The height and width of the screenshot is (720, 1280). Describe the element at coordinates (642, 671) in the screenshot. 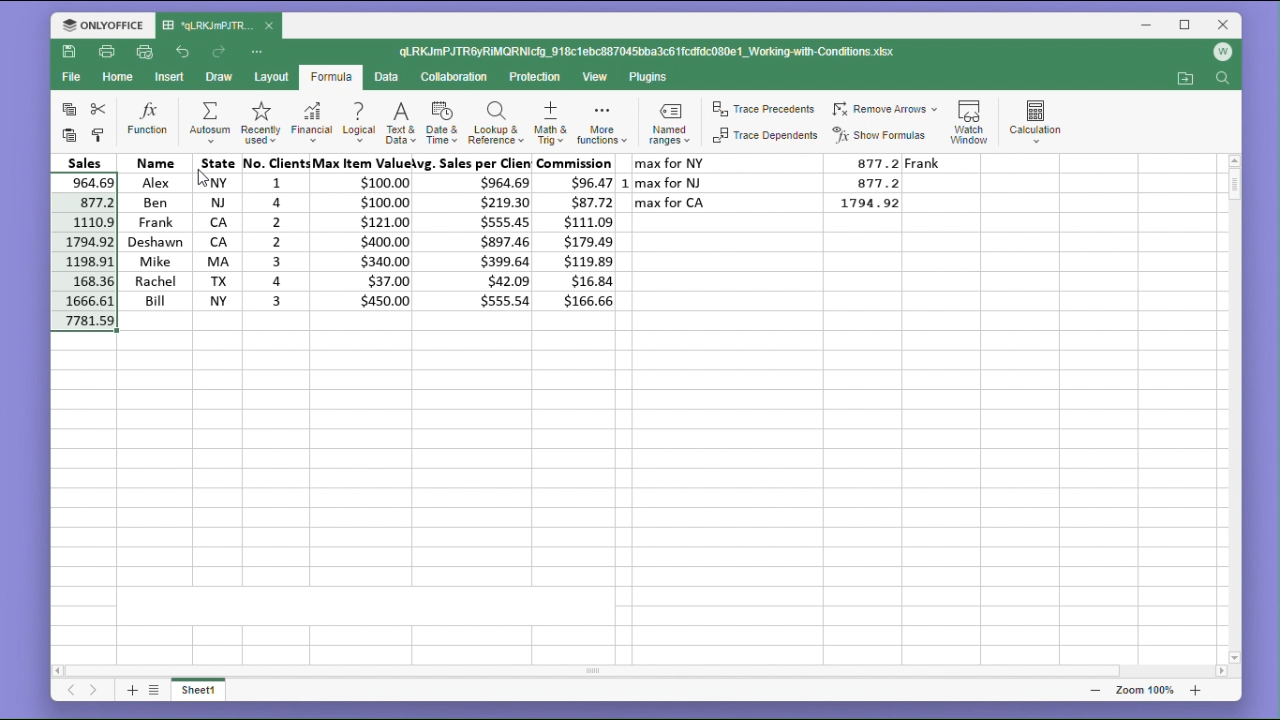

I see `horizontal scroll bar` at that location.